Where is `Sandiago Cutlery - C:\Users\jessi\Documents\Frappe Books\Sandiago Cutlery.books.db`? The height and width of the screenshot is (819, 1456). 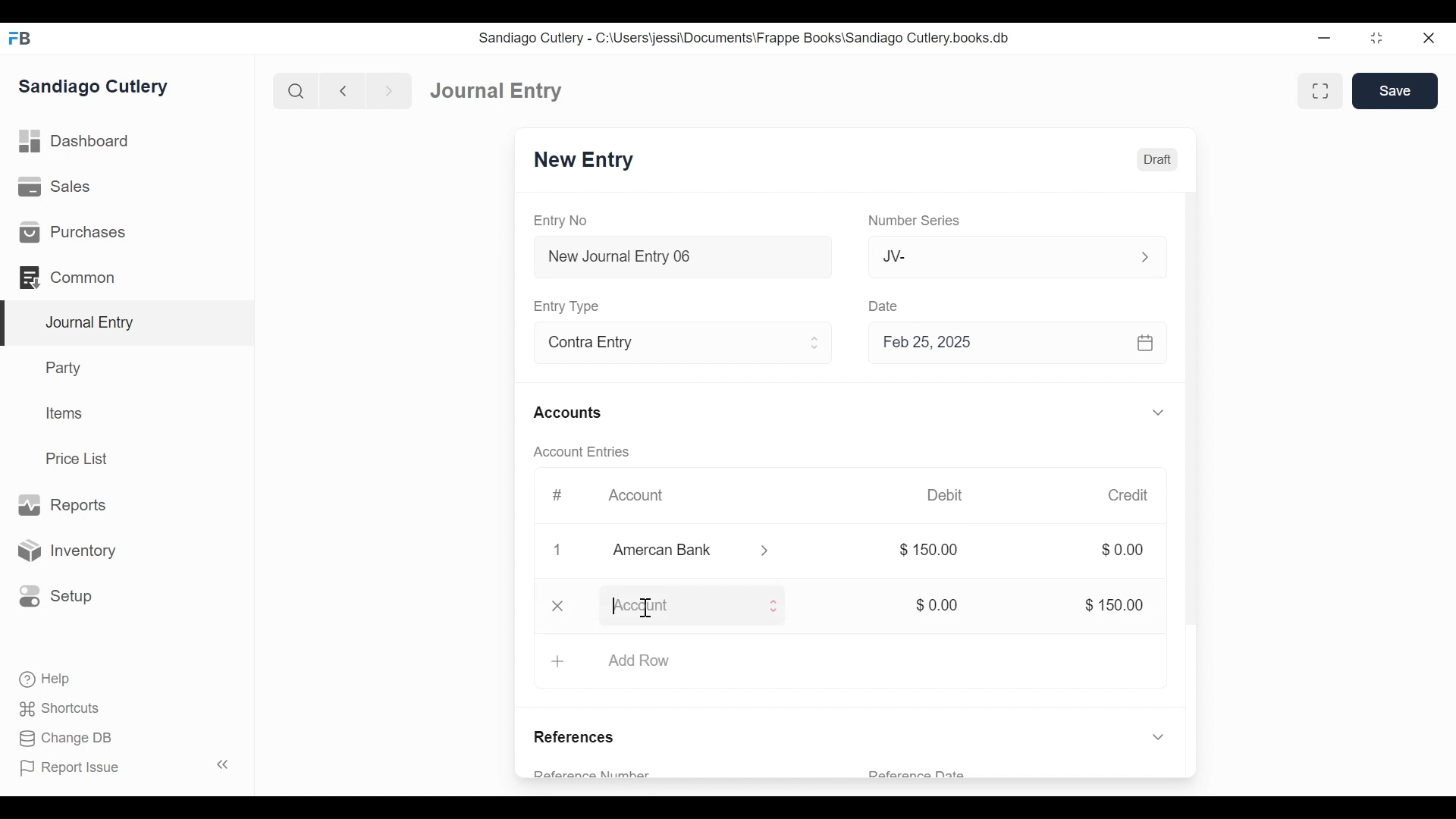 Sandiago Cutlery - C:\Users\jessi\Documents\Frappe Books\Sandiago Cutlery.books.db is located at coordinates (745, 38).